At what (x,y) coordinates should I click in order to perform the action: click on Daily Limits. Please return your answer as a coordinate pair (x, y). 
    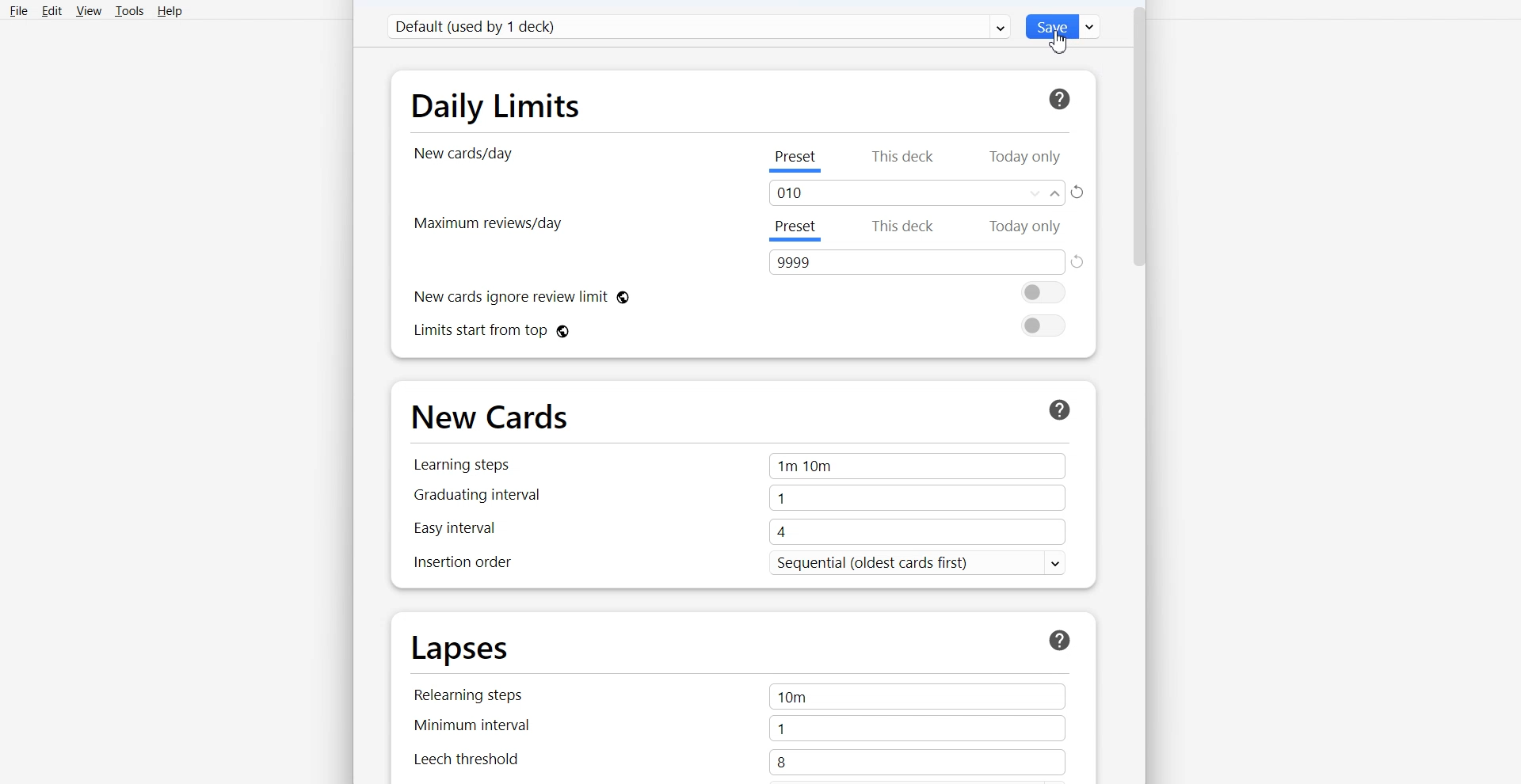
    Looking at the image, I should click on (495, 103).